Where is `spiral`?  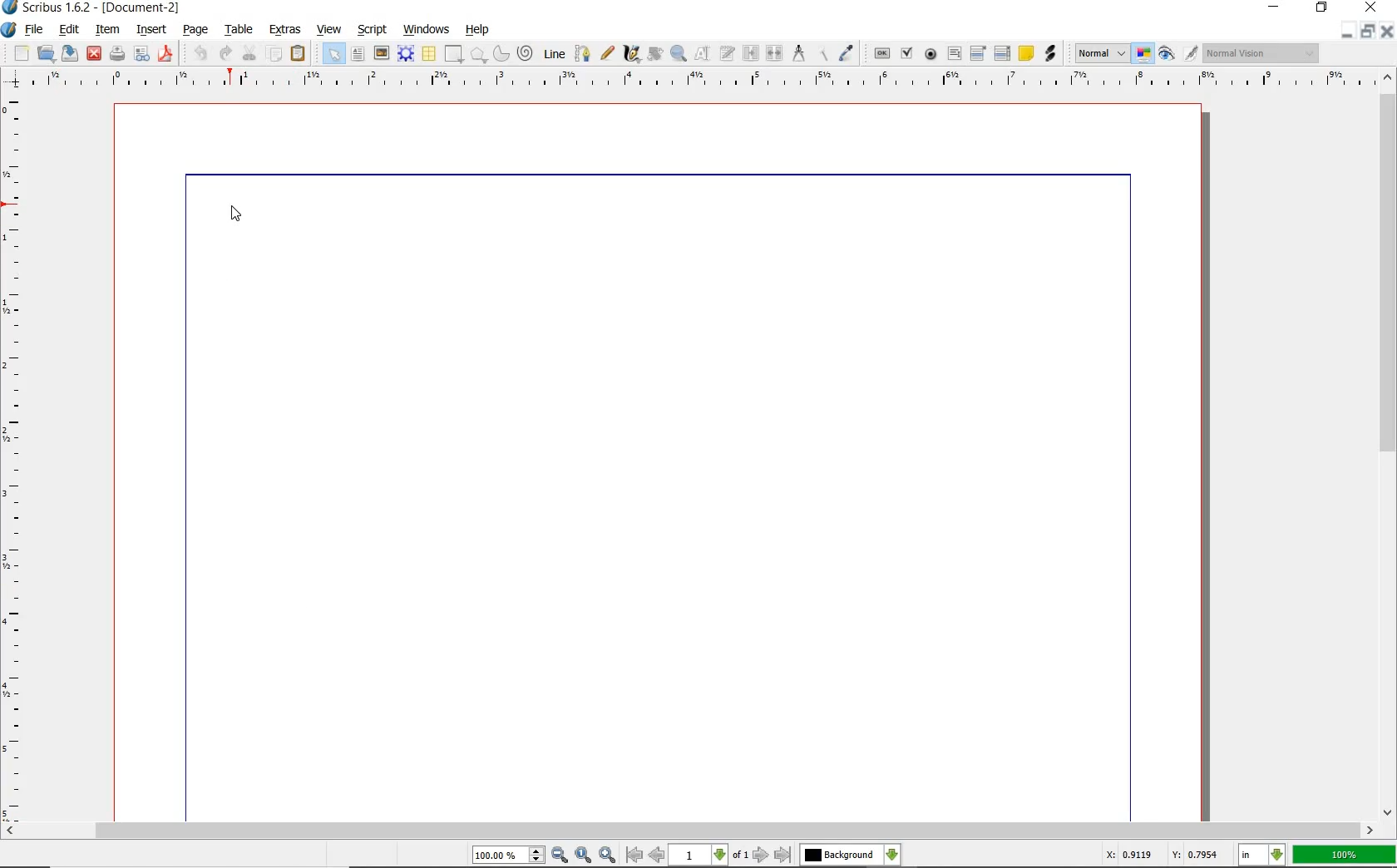 spiral is located at coordinates (526, 54).